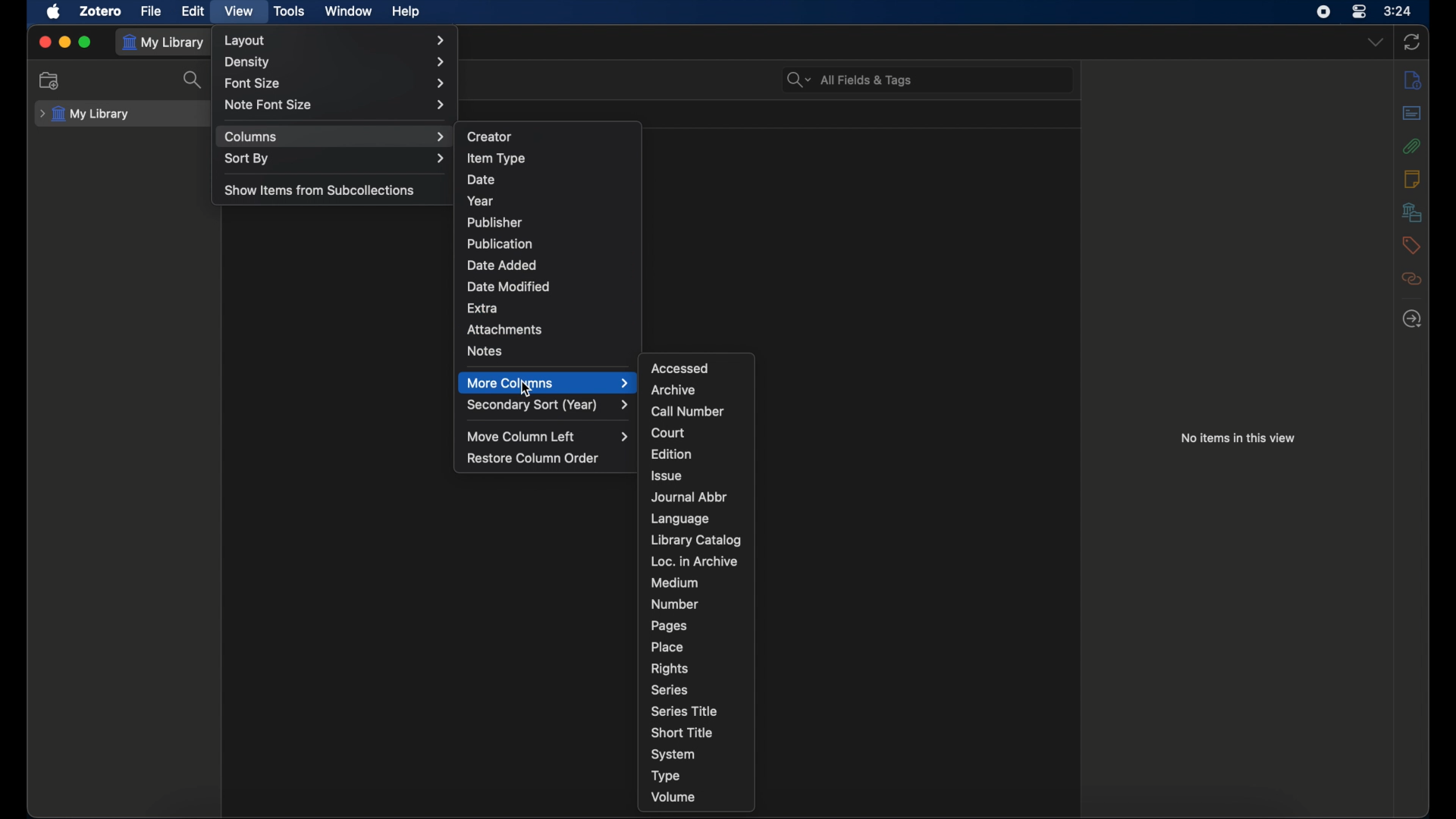 This screenshot has height=819, width=1456. I want to click on window, so click(349, 10).